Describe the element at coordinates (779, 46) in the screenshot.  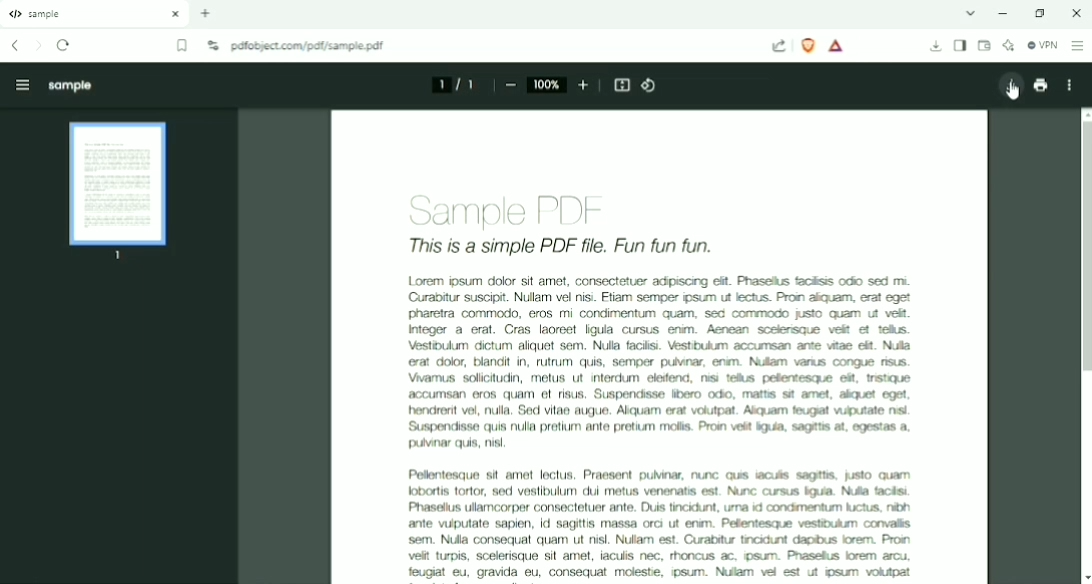
I see `Share this page` at that location.